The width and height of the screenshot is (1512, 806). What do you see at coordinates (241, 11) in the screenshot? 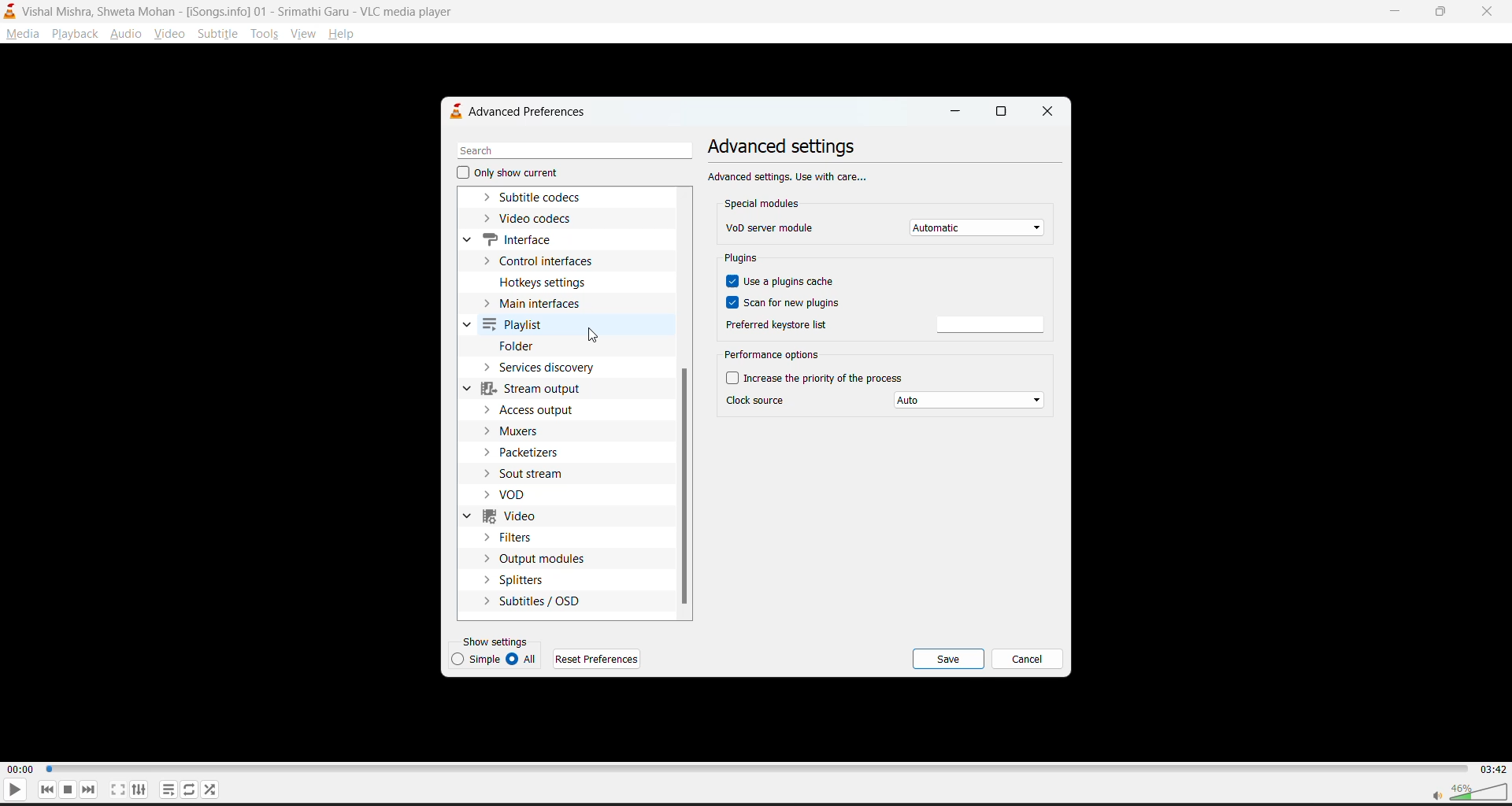
I see `Vishal Mishra, Shweta Mohan - [iSongs.ingo] - 01 - Srimathi Garu - VLC Player` at bounding box center [241, 11].